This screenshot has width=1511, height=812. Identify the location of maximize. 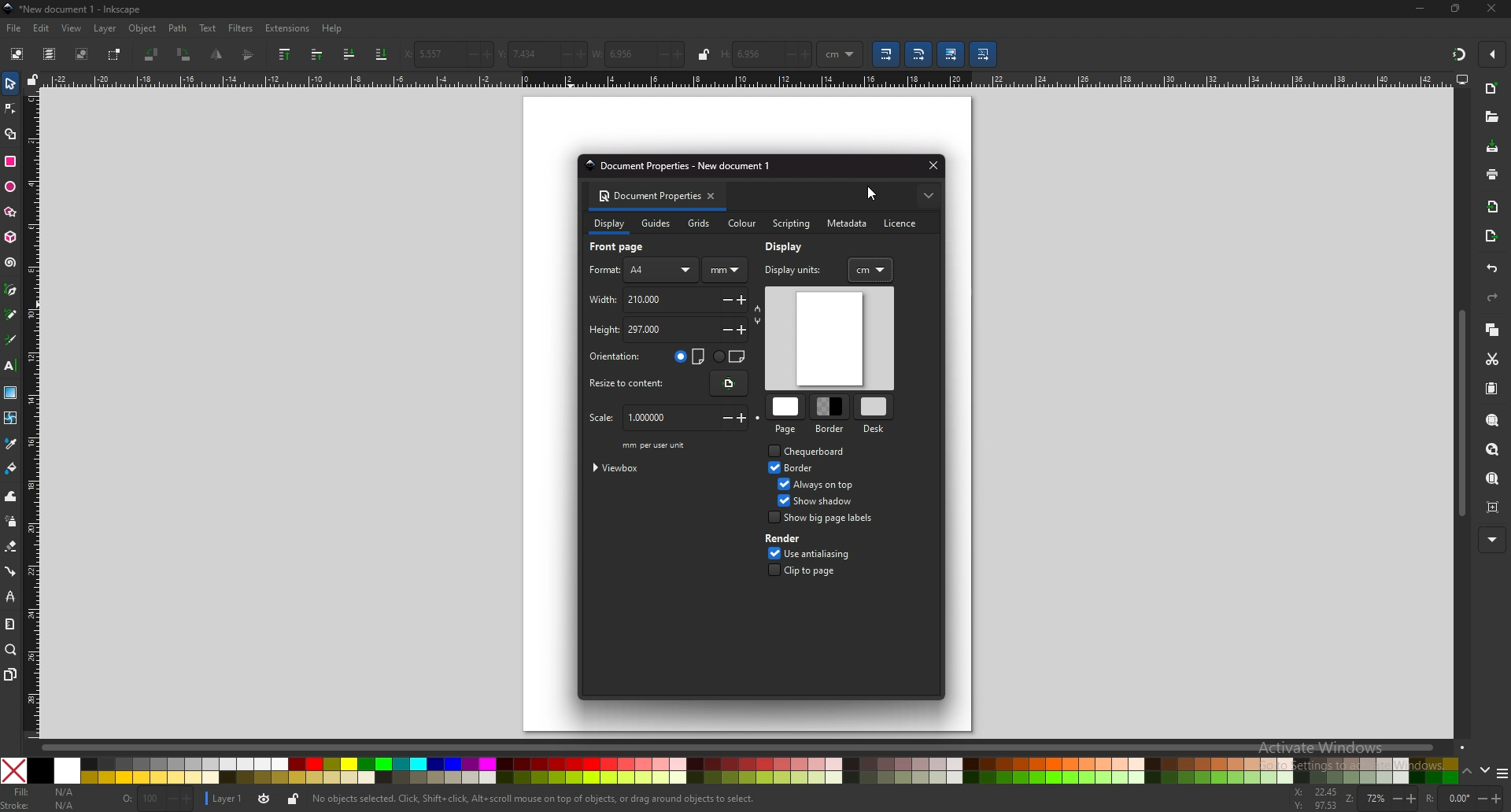
(1456, 9).